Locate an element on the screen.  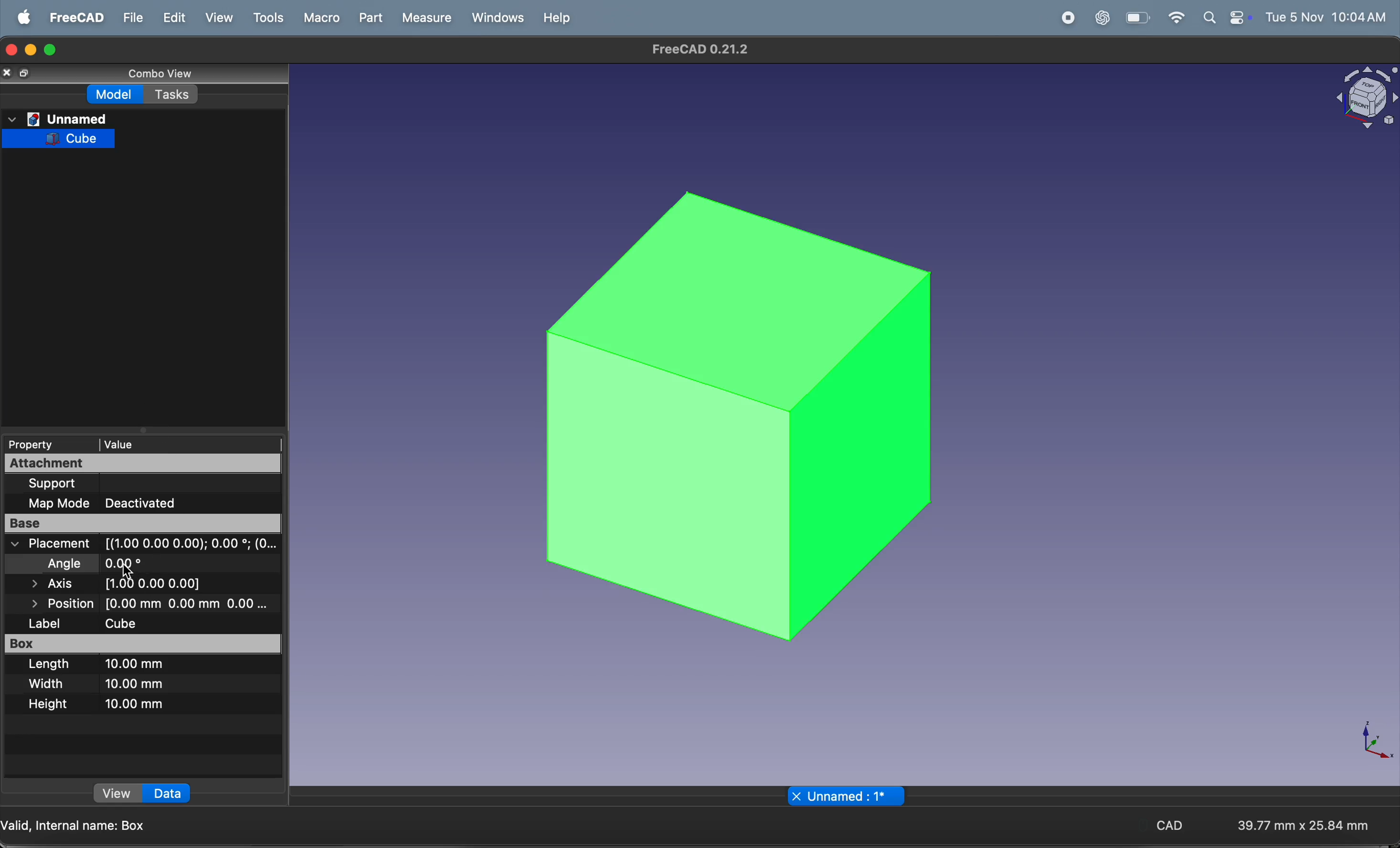
chatgpt is located at coordinates (1100, 16).